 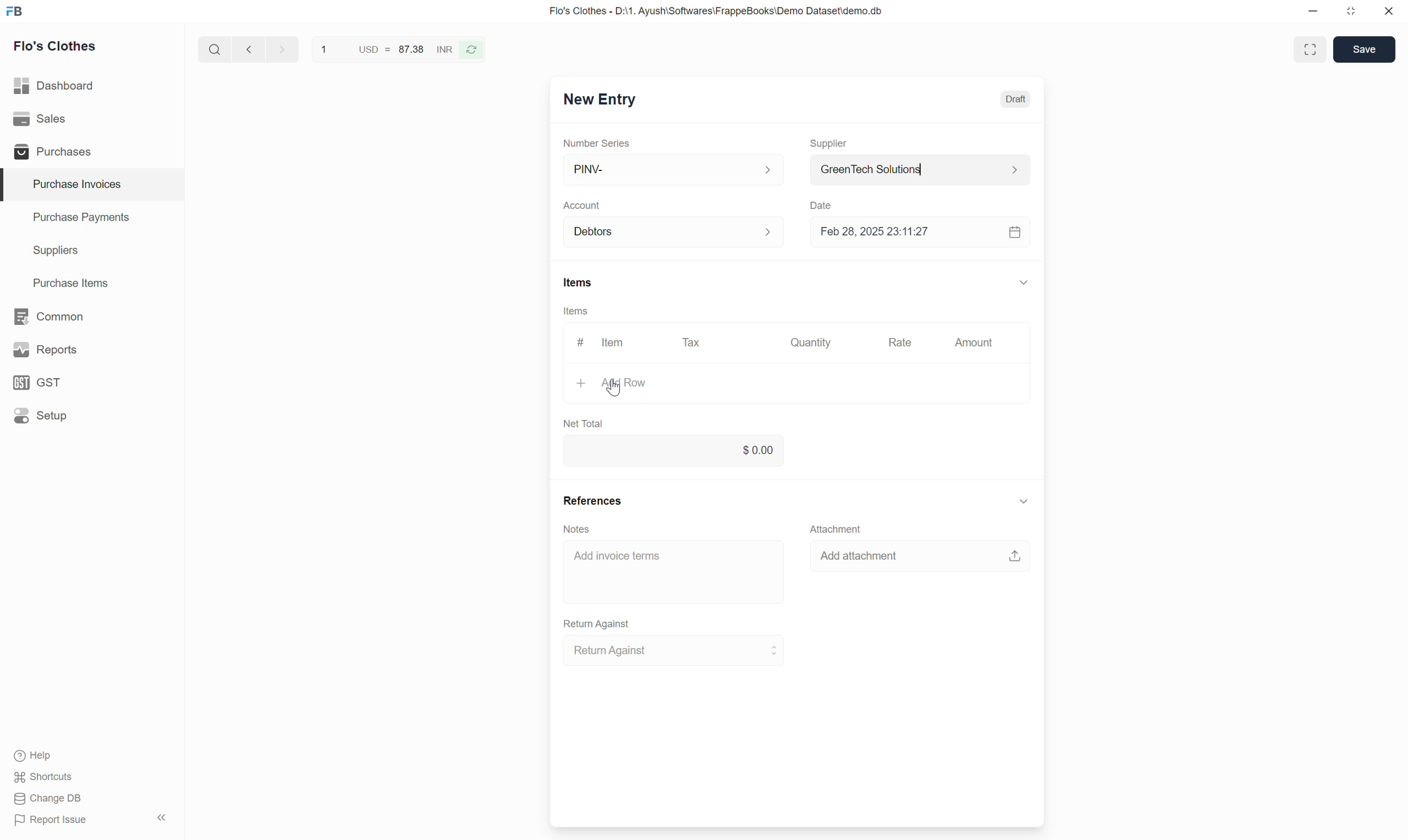 I want to click on References, so click(x=593, y=500).